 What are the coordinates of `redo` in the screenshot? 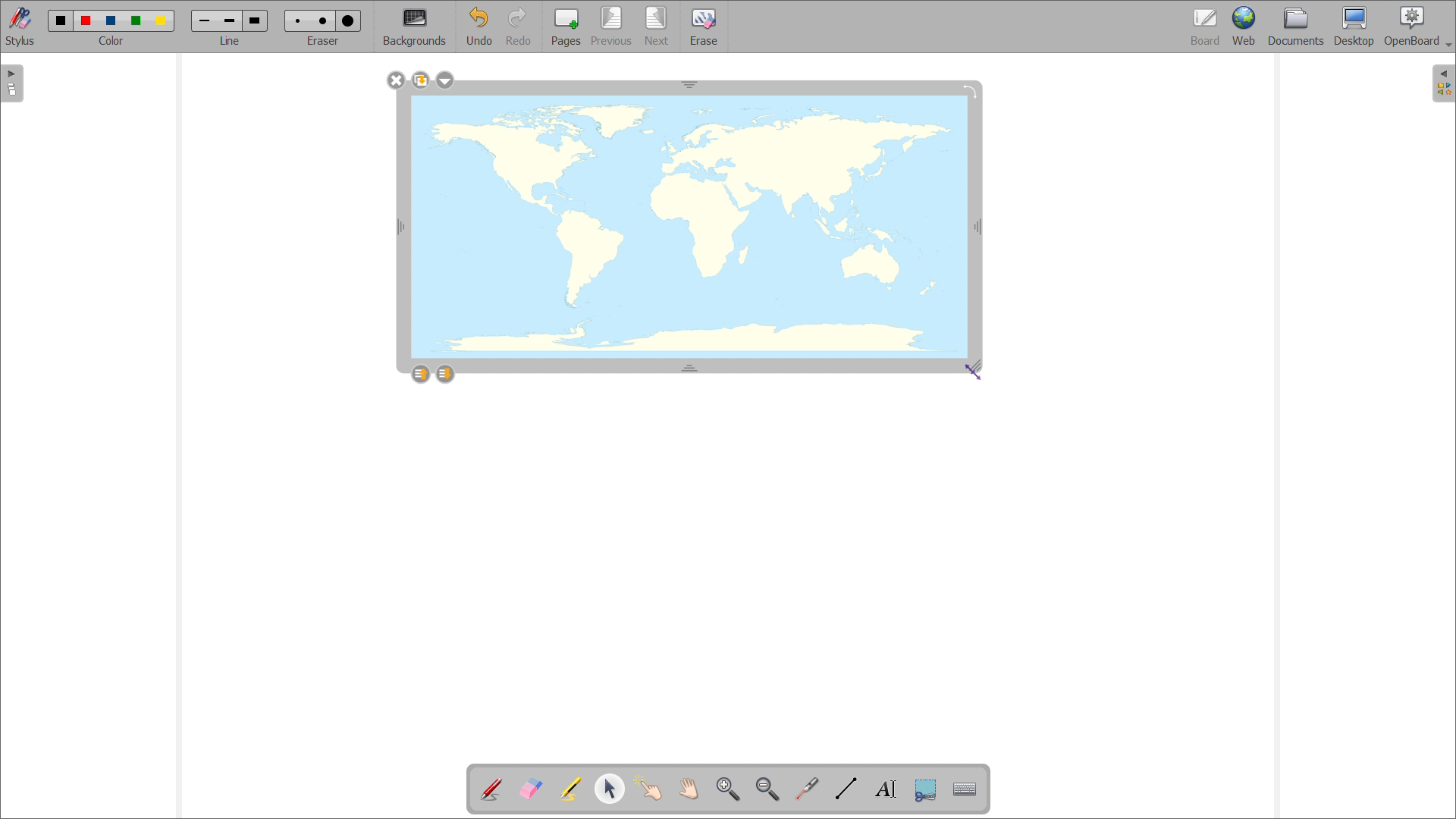 It's located at (518, 26).